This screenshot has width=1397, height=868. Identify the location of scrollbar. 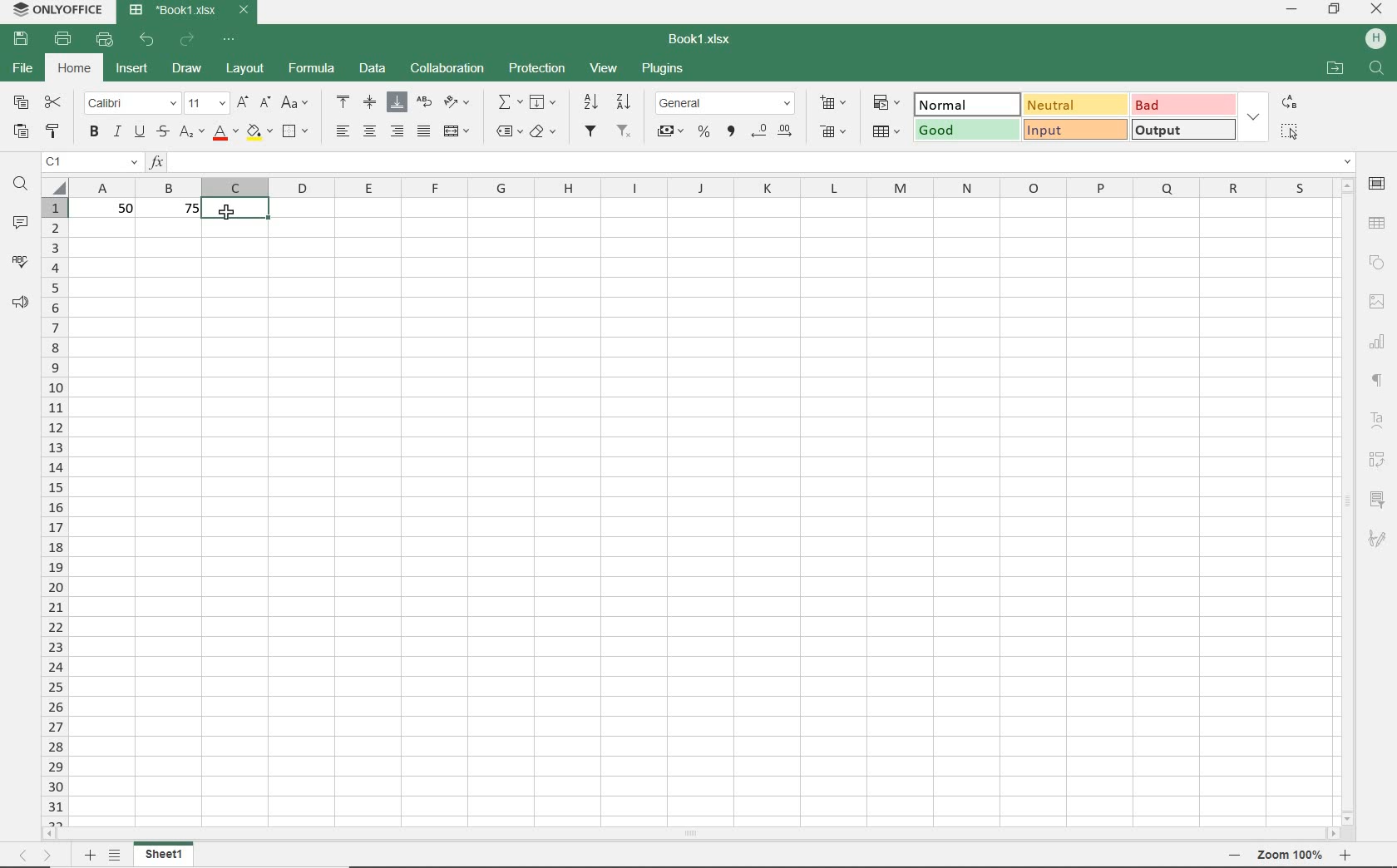
(1350, 501).